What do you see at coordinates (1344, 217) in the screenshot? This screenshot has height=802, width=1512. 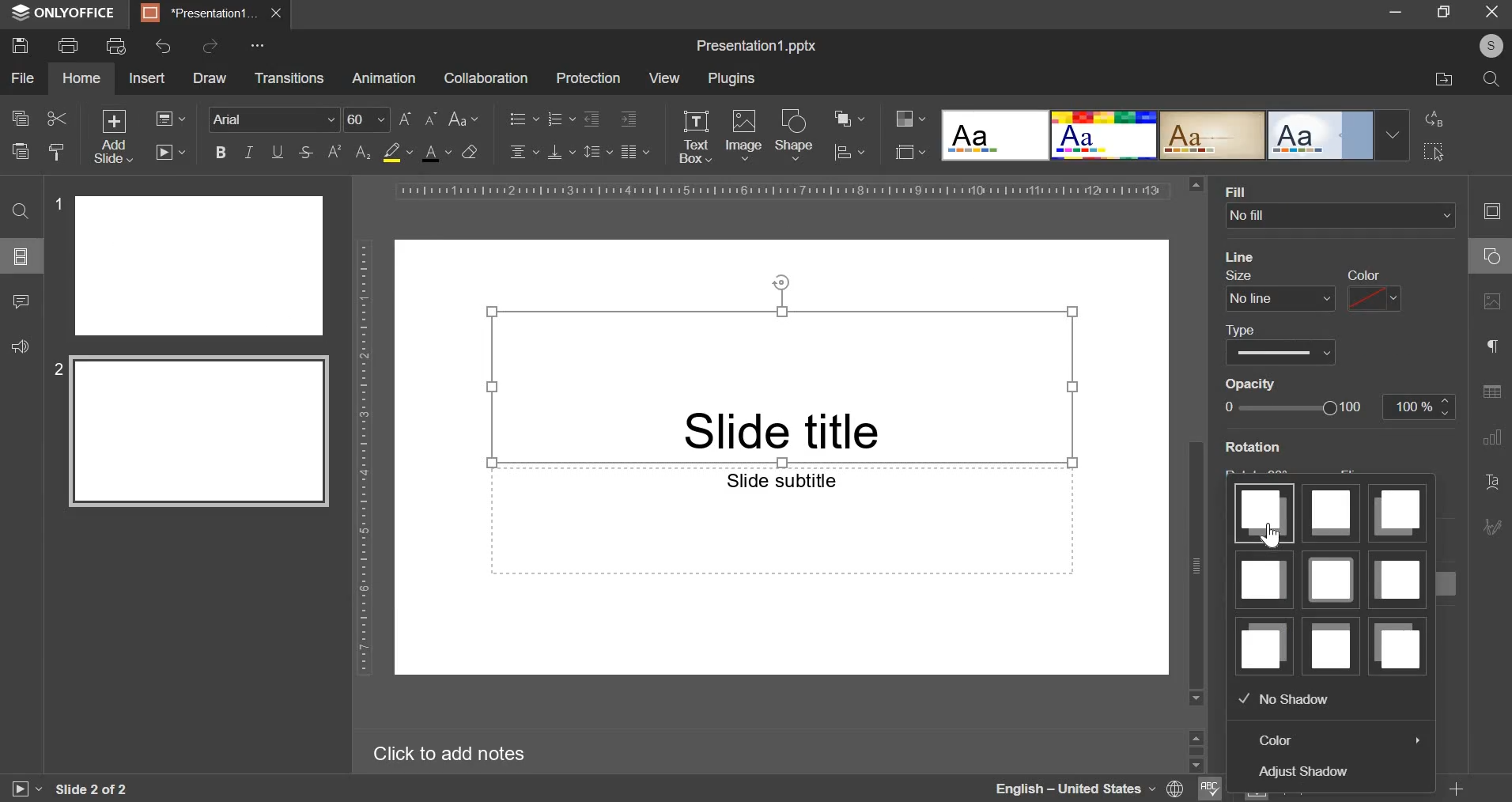 I see `no fill` at bounding box center [1344, 217].